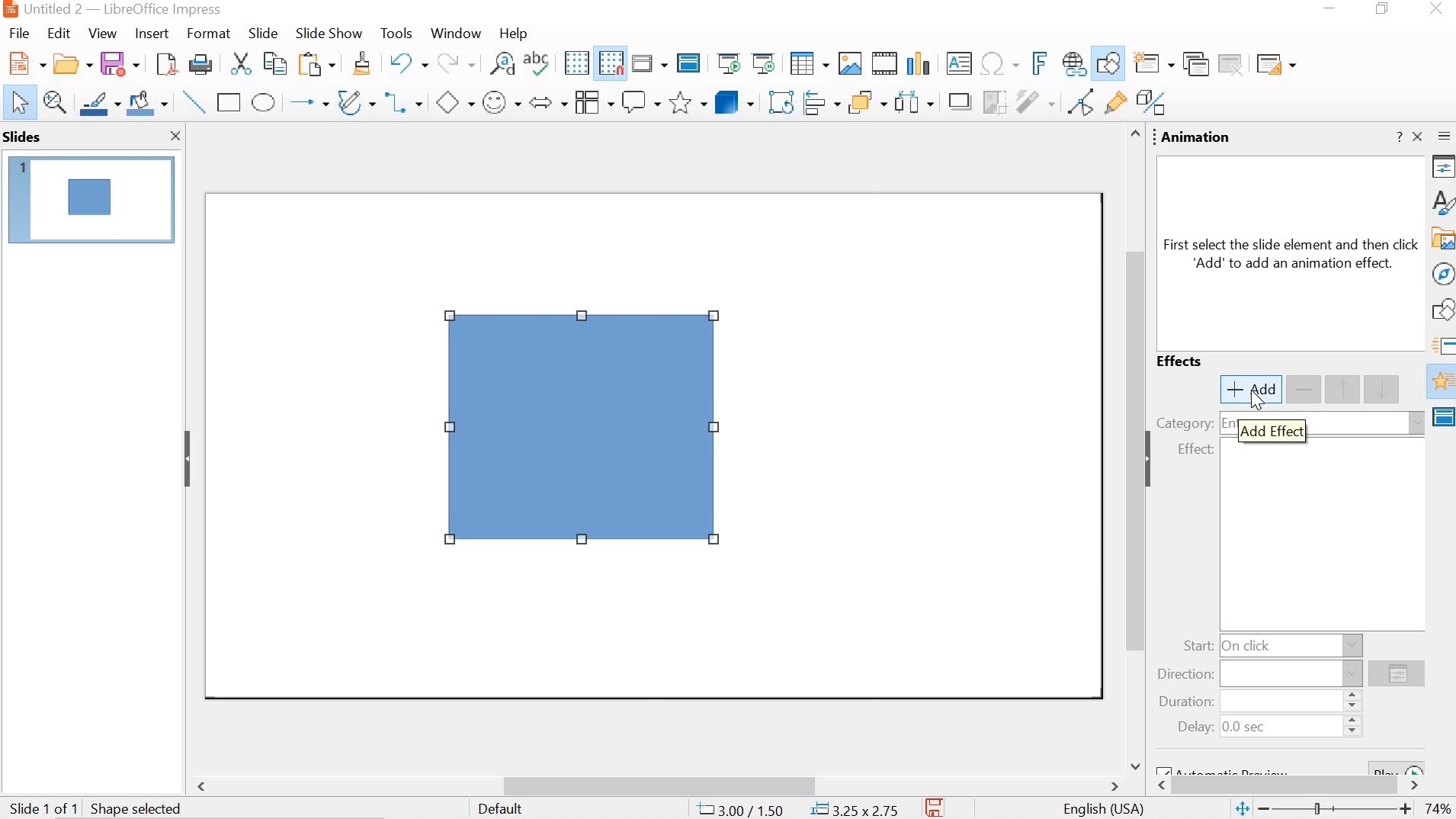 The width and height of the screenshot is (1456, 819). I want to click on redo, so click(456, 61).